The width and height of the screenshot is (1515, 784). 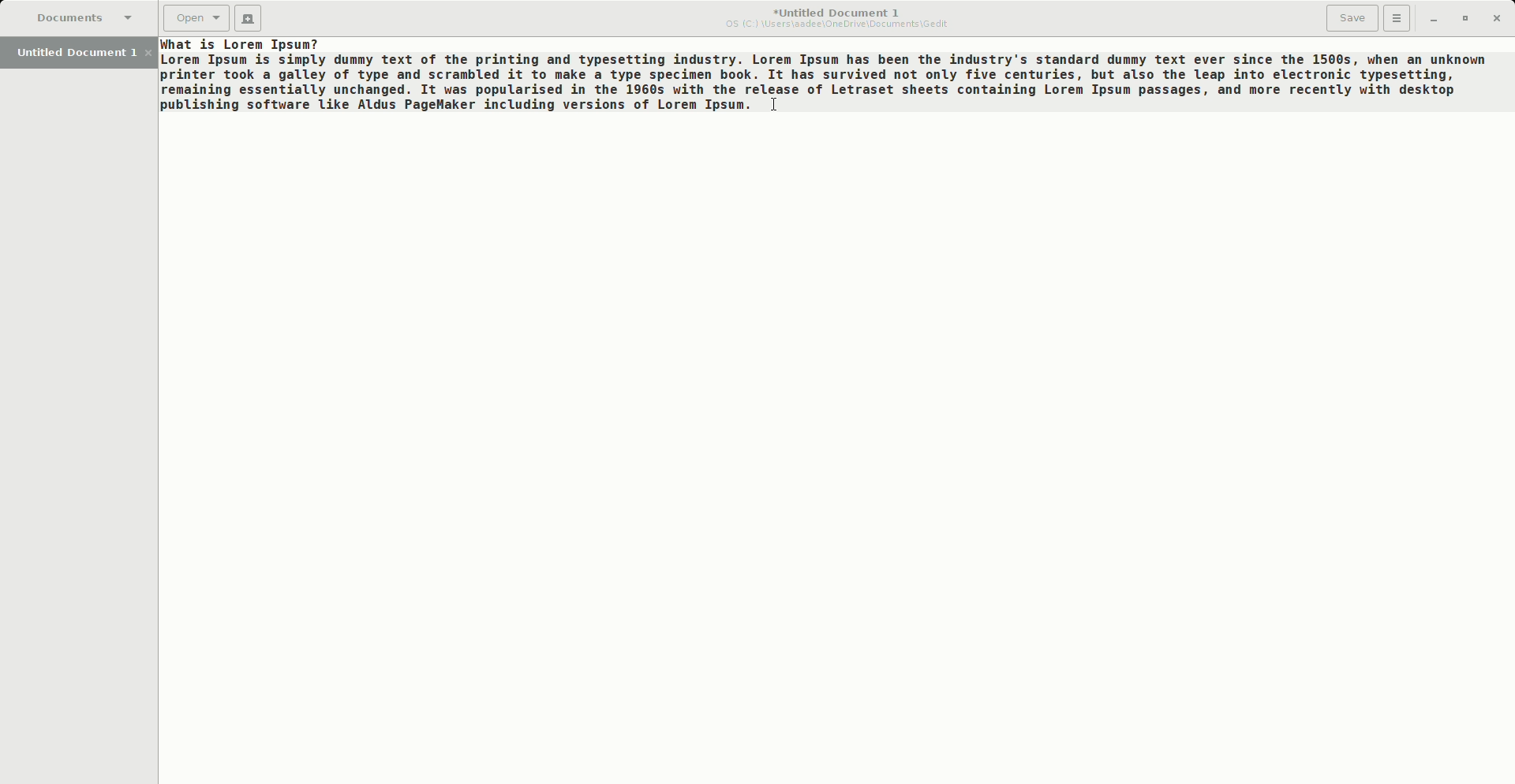 I want to click on Save, so click(x=1352, y=18).